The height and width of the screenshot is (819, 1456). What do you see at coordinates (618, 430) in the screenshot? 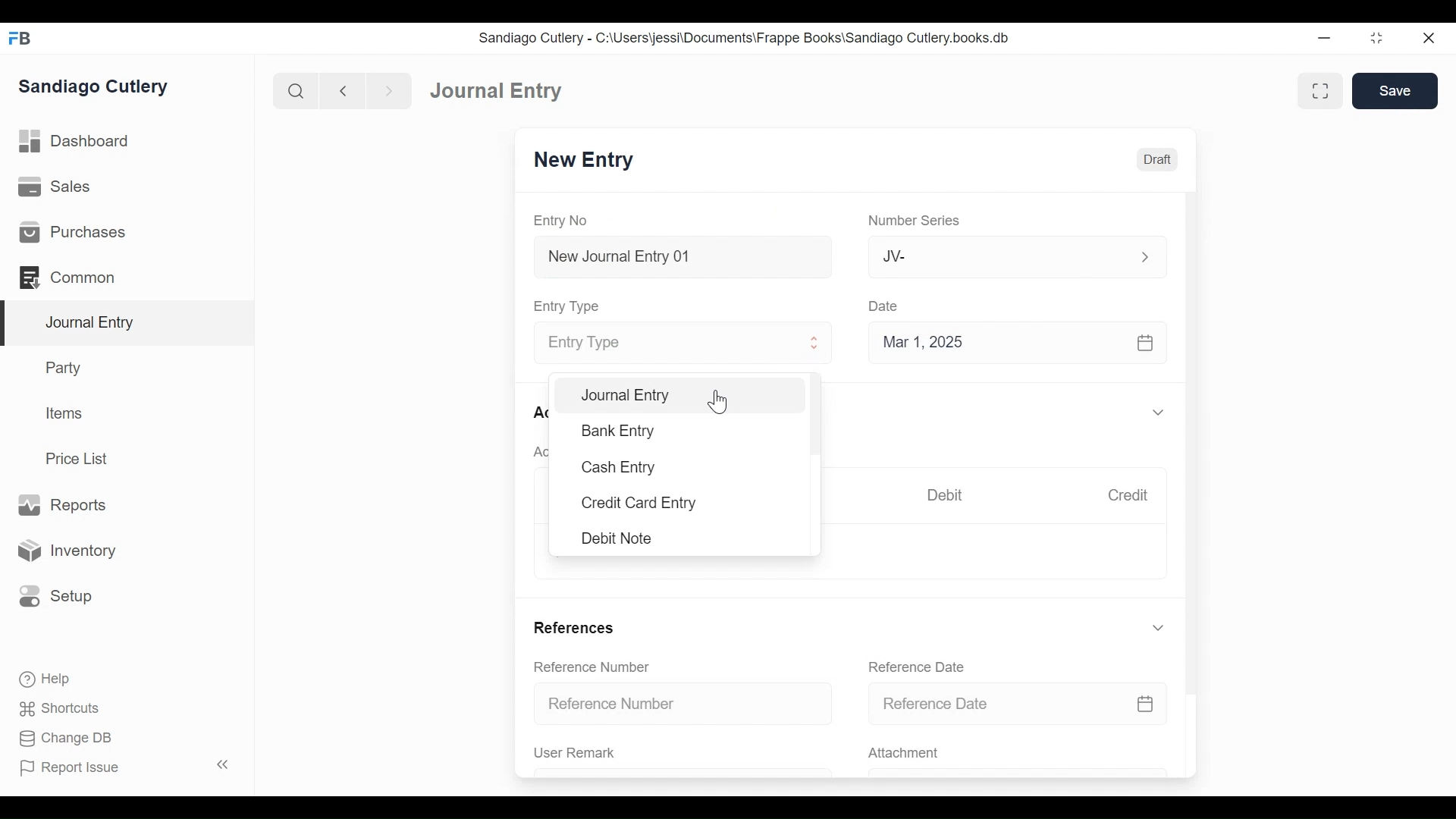
I see `Bank Entry` at bounding box center [618, 430].